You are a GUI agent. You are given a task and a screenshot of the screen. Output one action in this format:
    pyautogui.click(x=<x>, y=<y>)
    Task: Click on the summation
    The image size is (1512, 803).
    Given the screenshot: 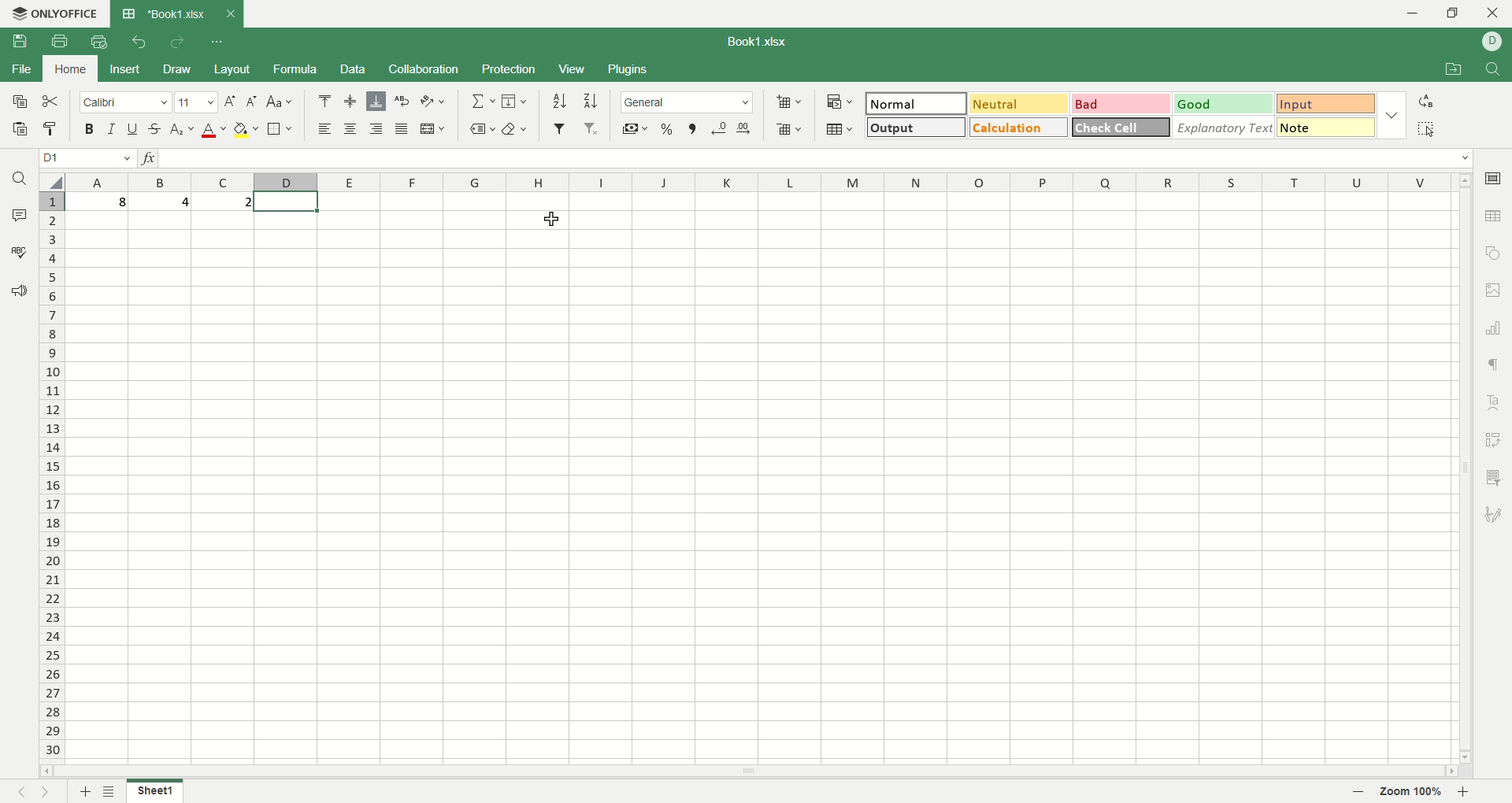 What is the action you would take?
    pyautogui.click(x=482, y=101)
    